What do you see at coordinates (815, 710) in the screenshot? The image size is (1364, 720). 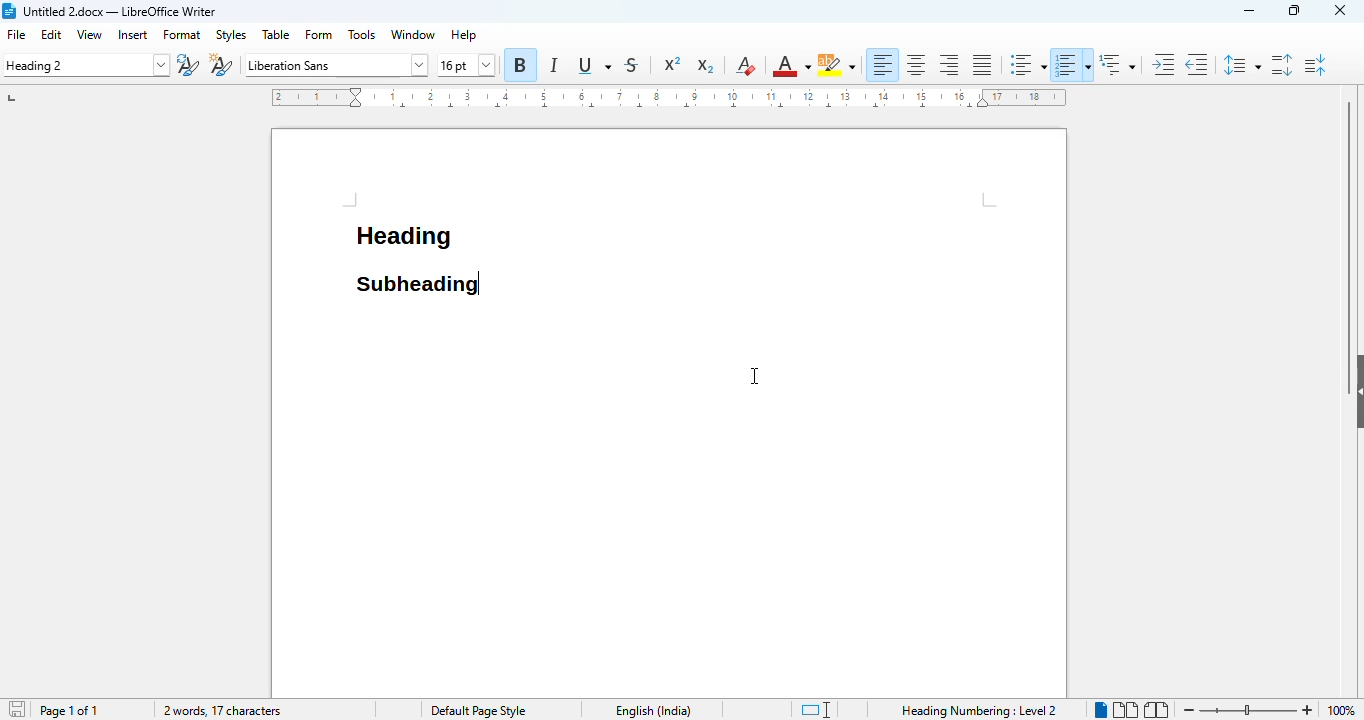 I see `standard selection` at bounding box center [815, 710].